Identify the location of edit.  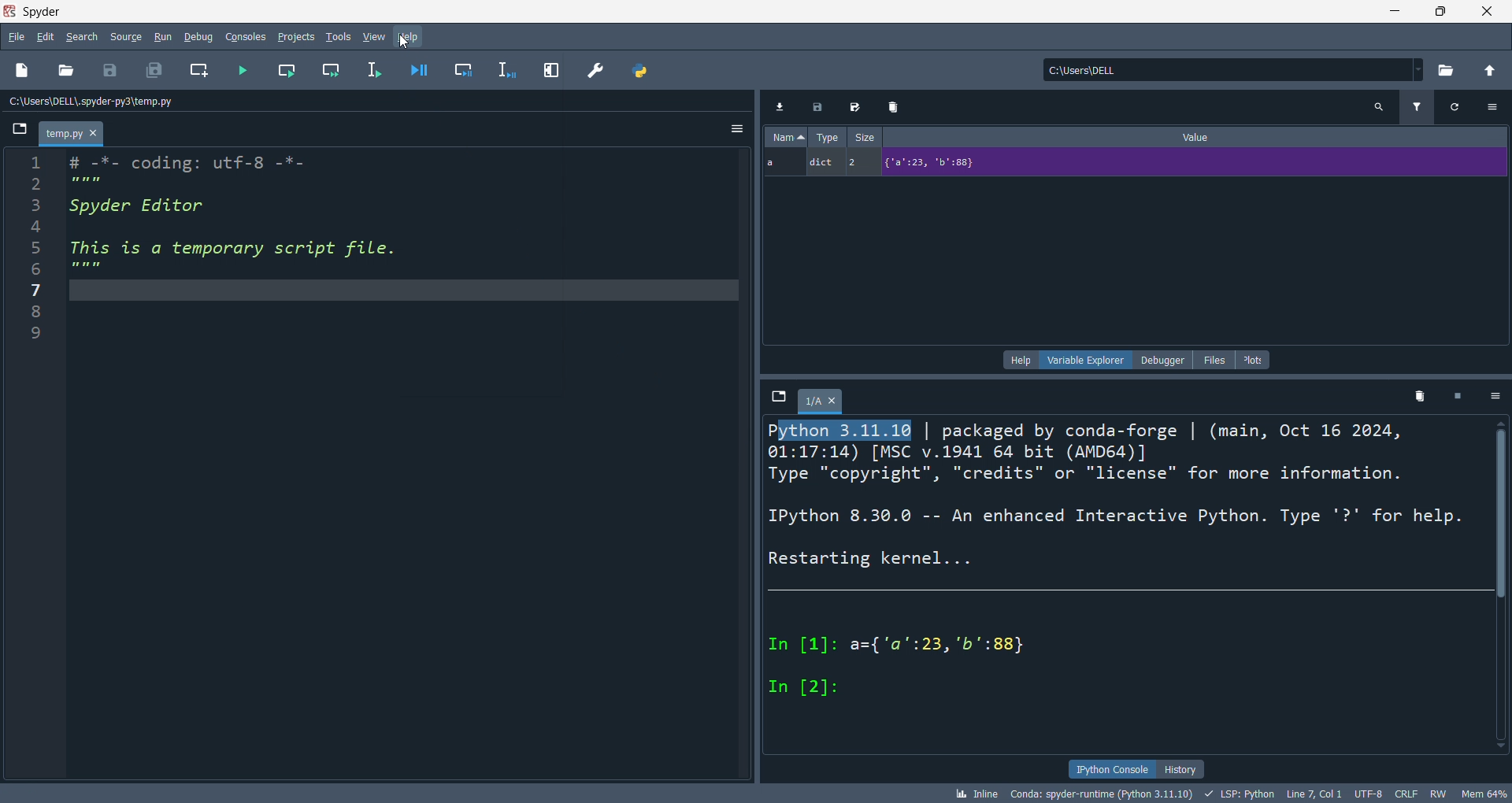
(44, 38).